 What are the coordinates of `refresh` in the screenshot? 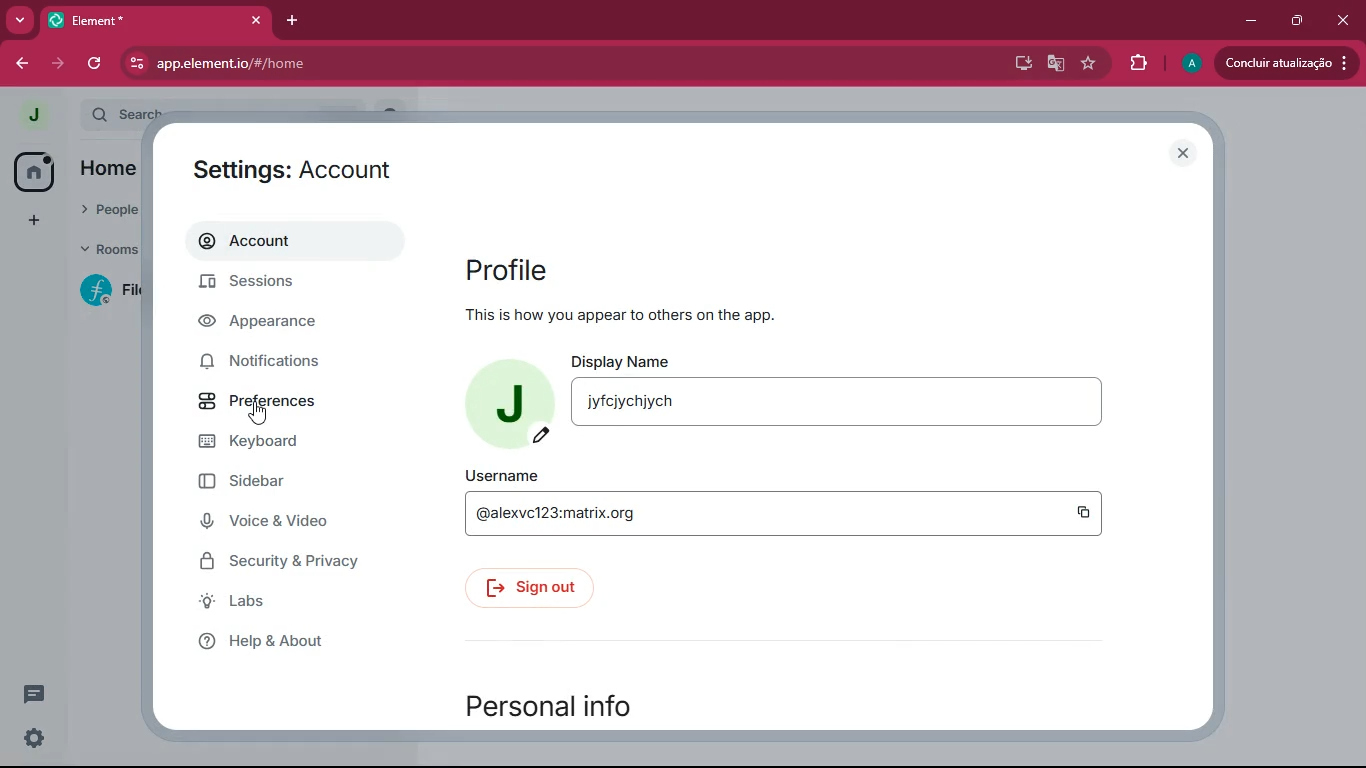 It's located at (95, 64).